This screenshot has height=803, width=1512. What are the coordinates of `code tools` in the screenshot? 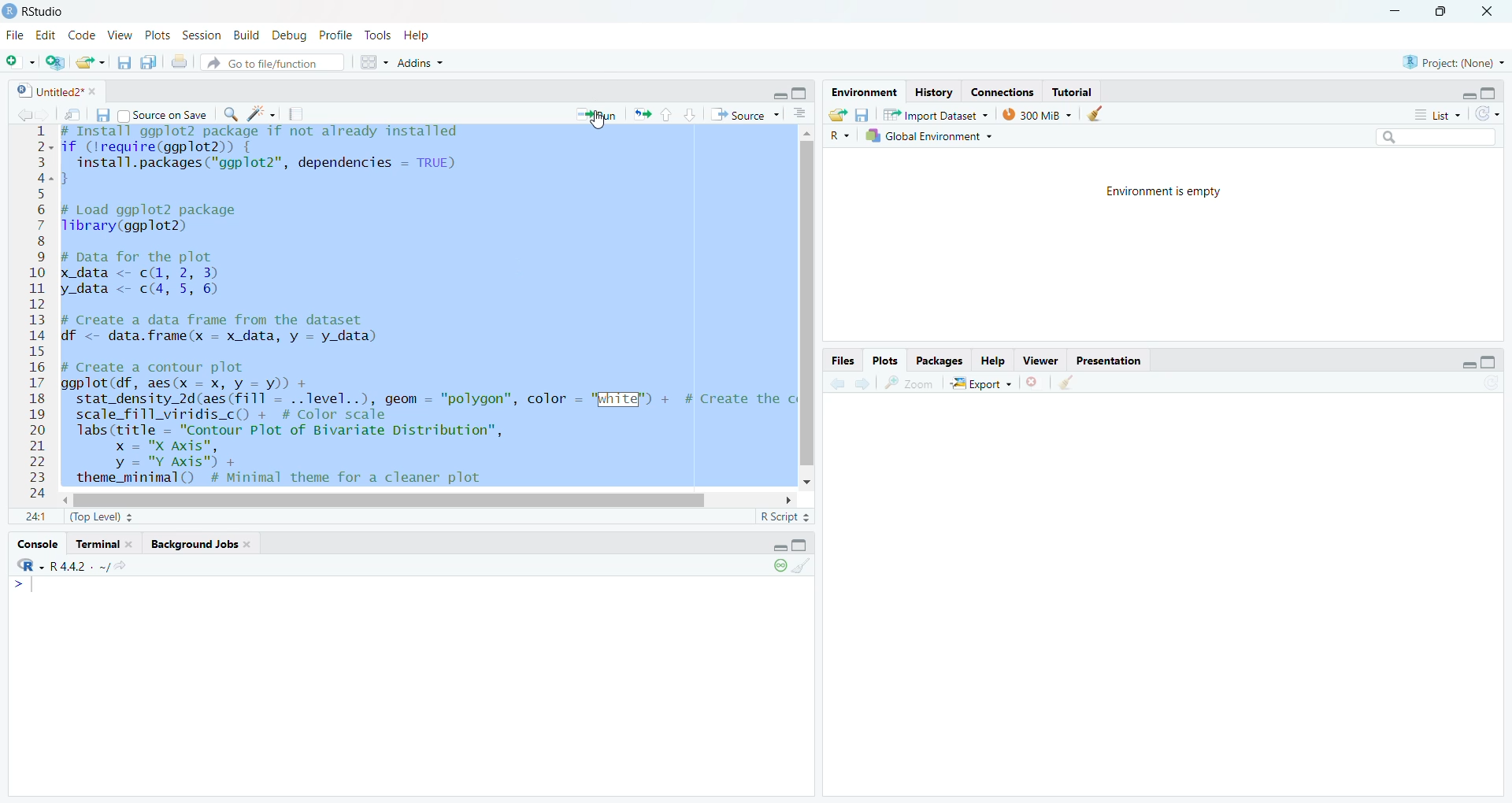 It's located at (262, 115).